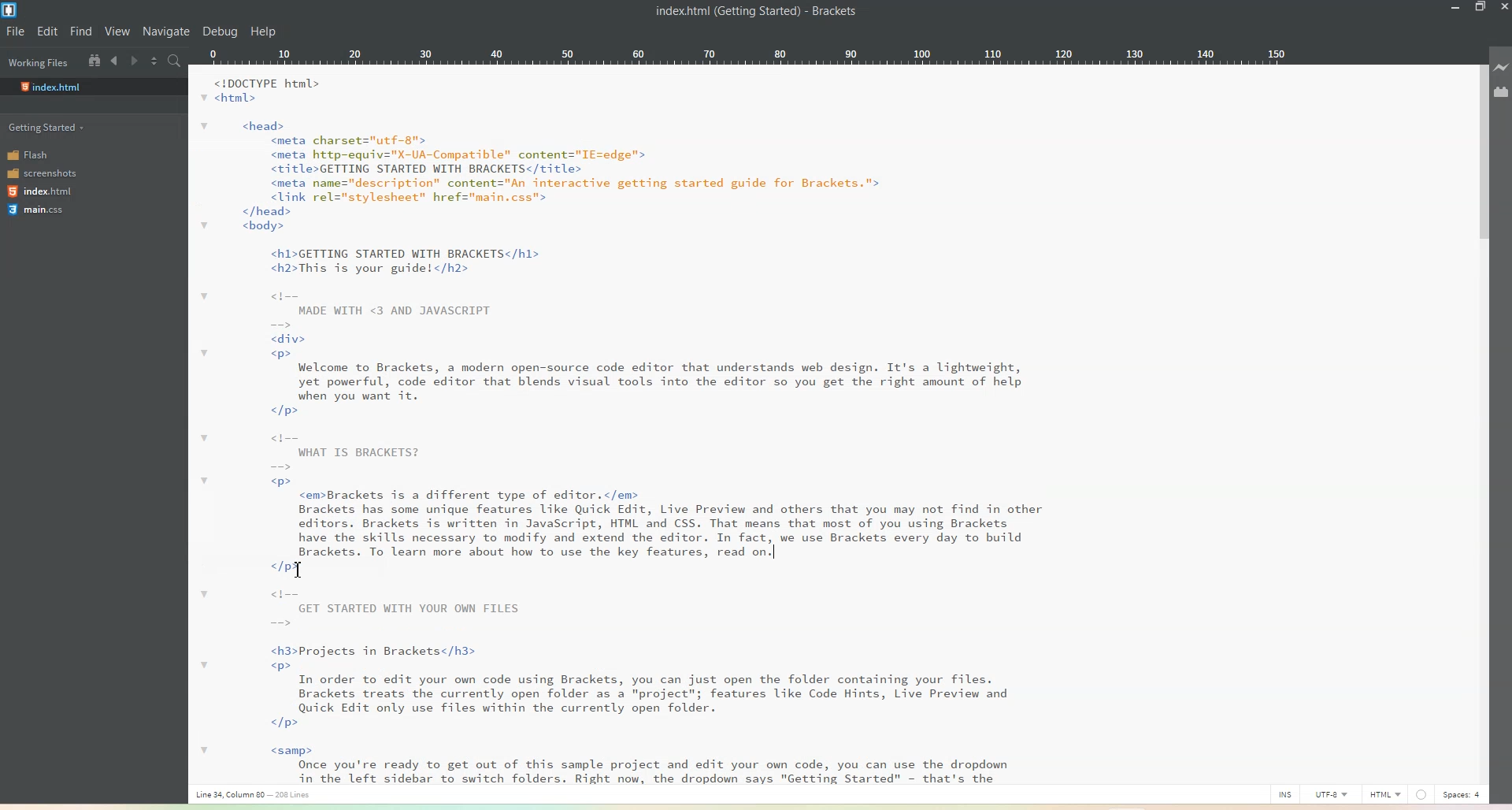  Describe the element at coordinates (17, 31) in the screenshot. I see `File` at that location.